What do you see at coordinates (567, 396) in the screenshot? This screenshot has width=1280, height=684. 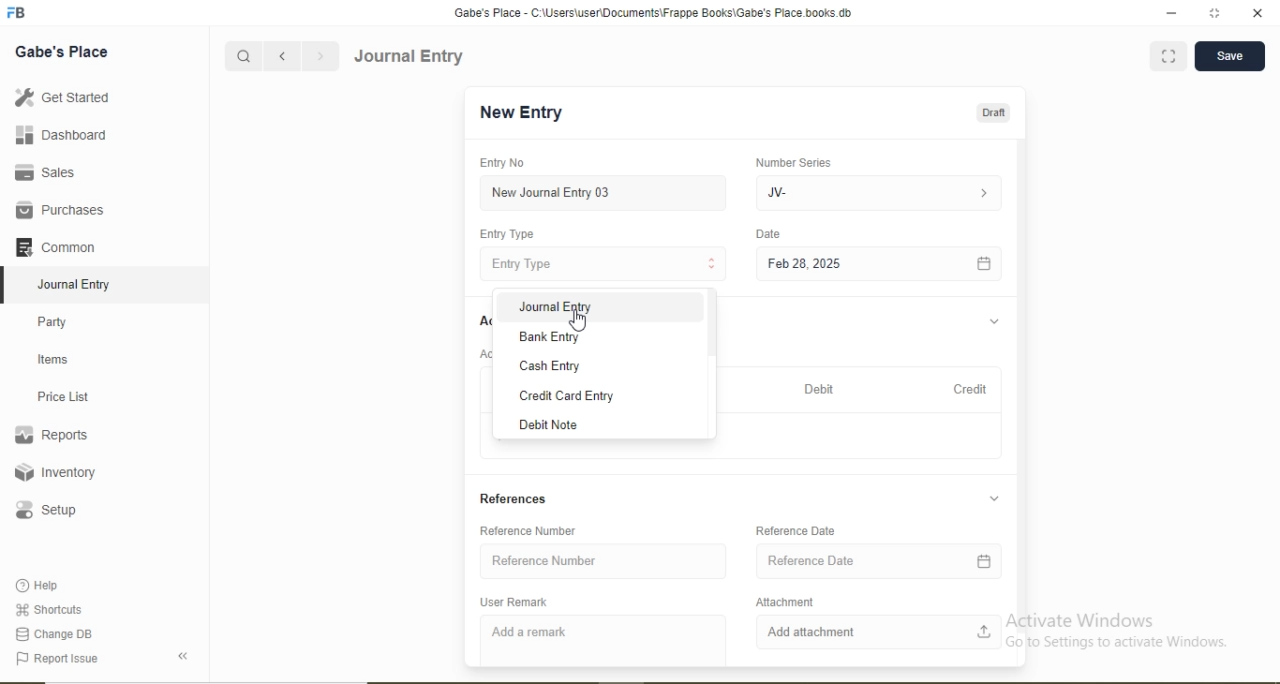 I see `Credit Card Entry` at bounding box center [567, 396].